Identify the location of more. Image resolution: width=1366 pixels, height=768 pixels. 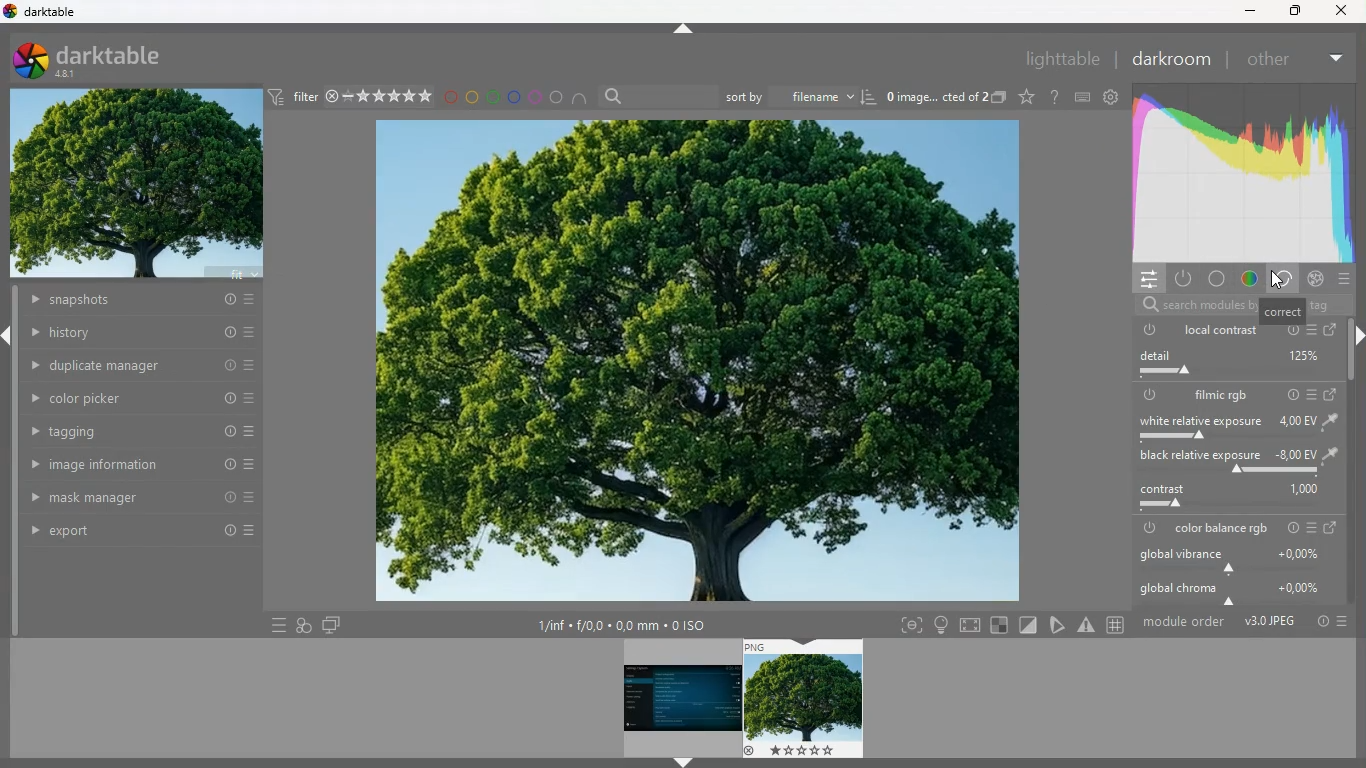
(1346, 623).